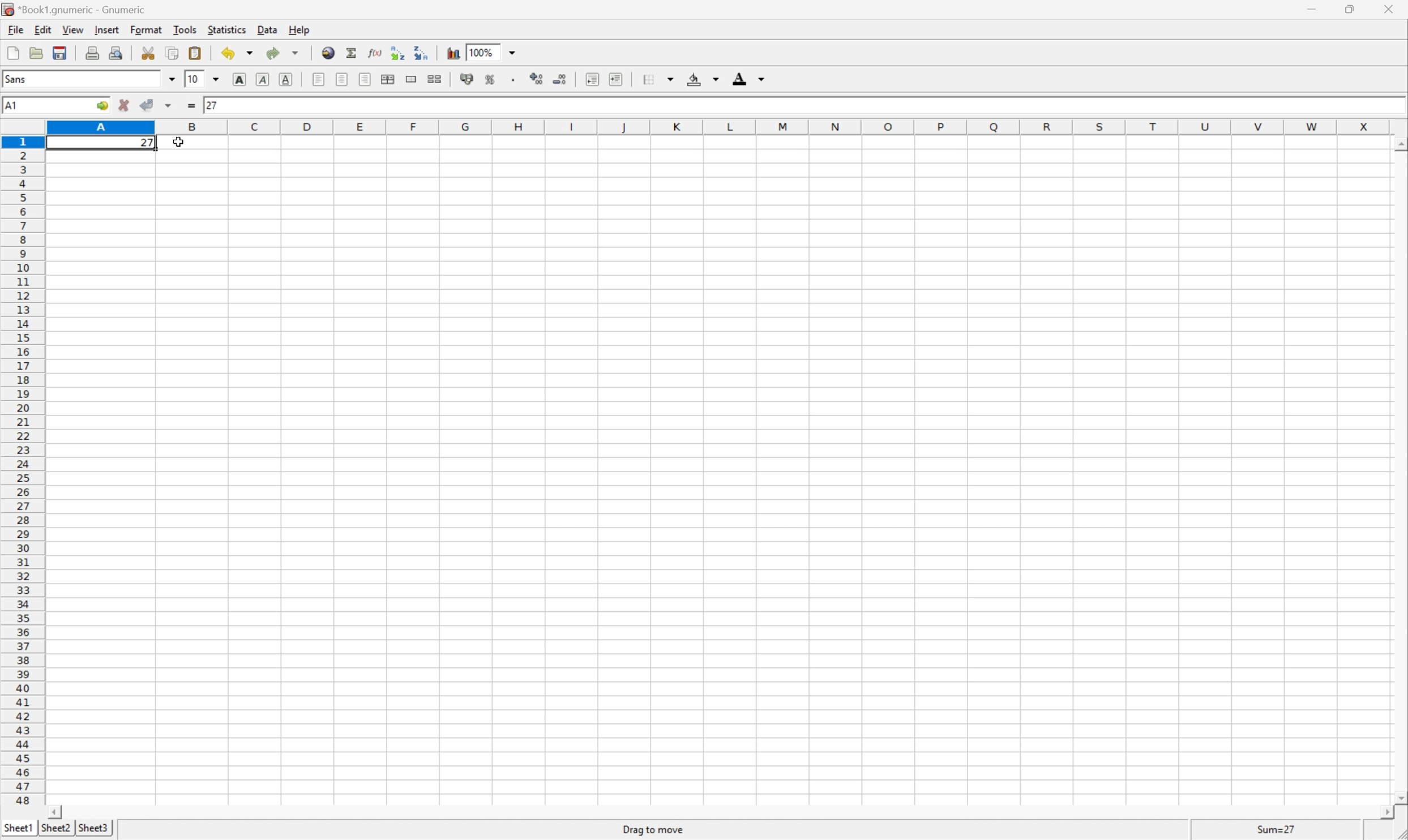 This screenshot has width=1408, height=840. I want to click on Insert a hyperlink, so click(328, 54).